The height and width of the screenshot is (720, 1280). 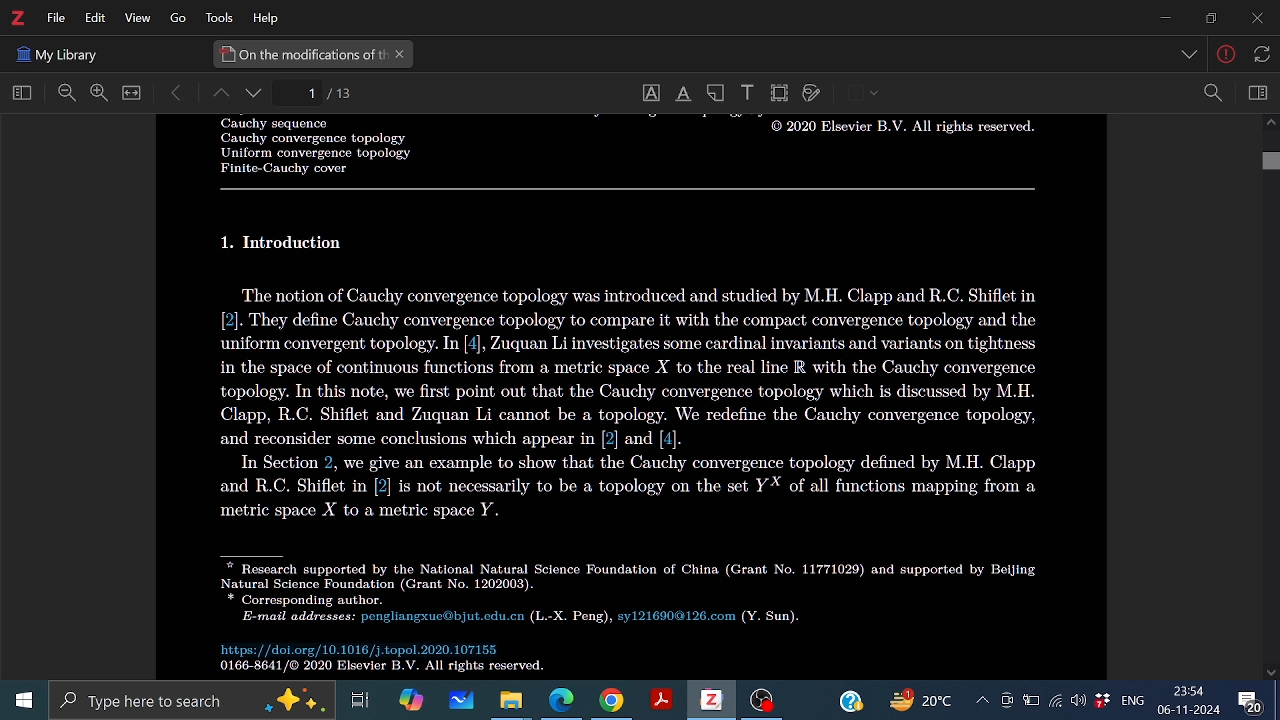 What do you see at coordinates (301, 54) in the screenshot?
I see `Current tab` at bounding box center [301, 54].